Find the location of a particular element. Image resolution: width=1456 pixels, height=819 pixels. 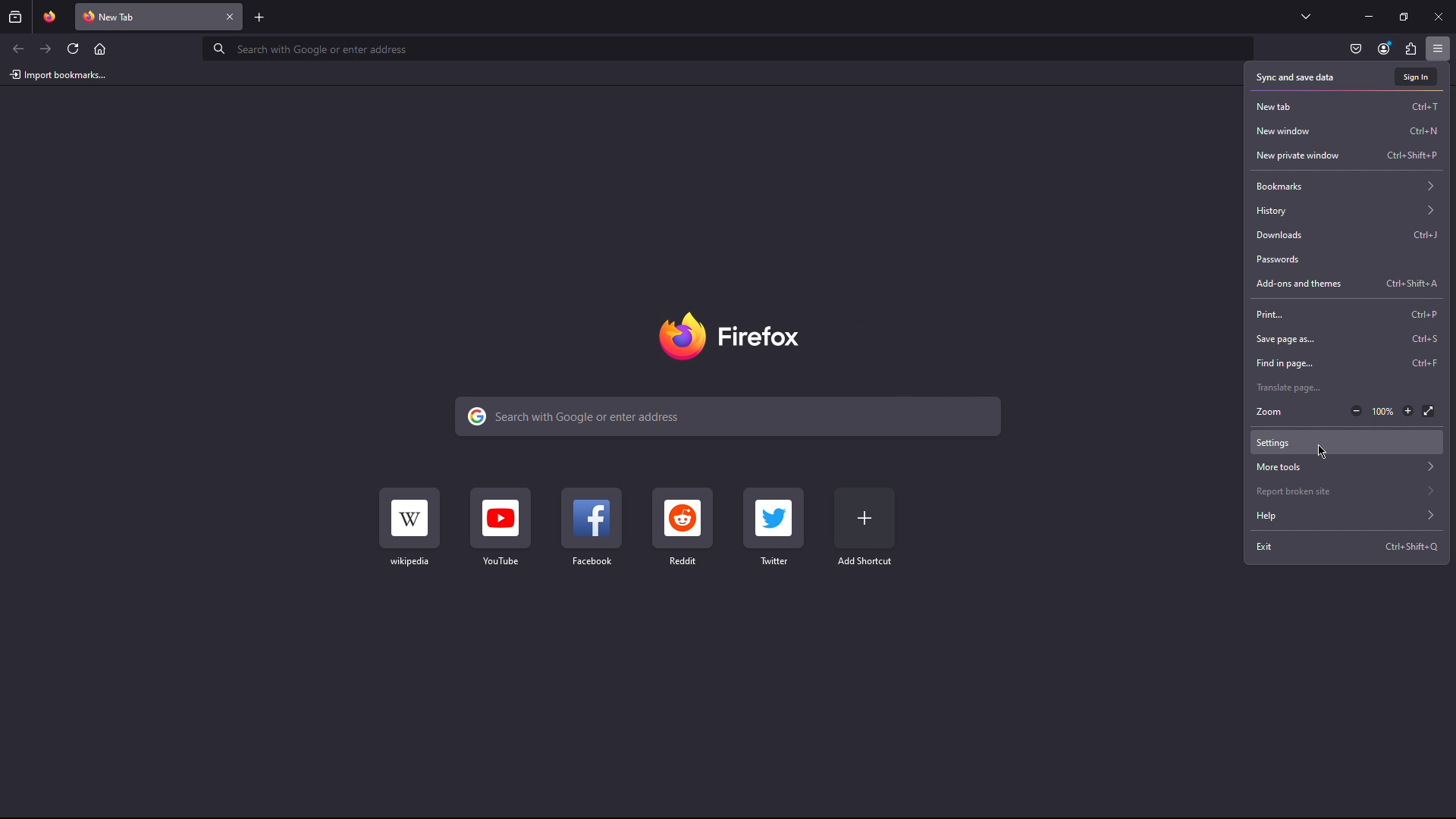

Twitter is located at coordinates (774, 527).